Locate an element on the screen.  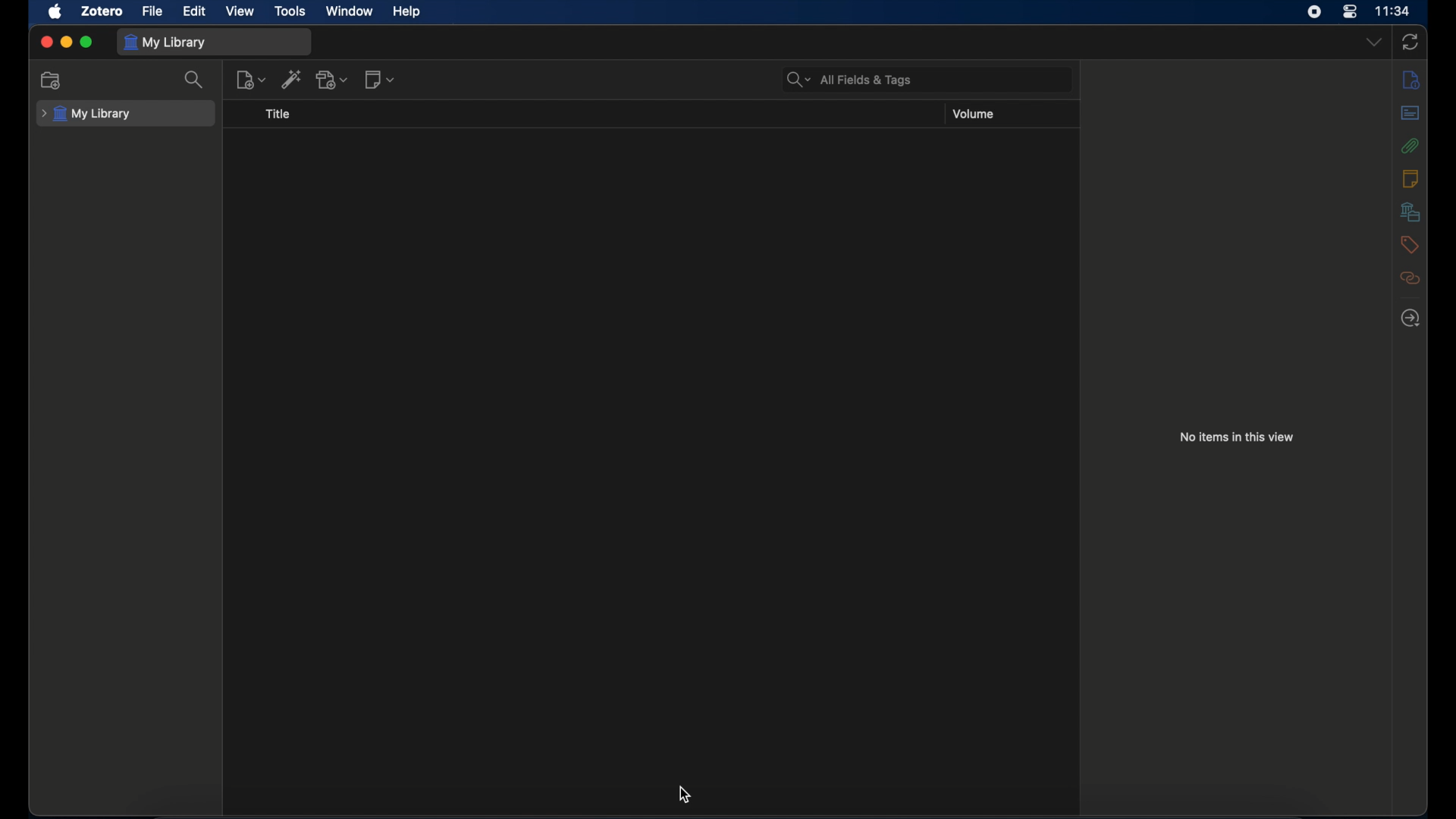
screen recorder is located at coordinates (1314, 12).